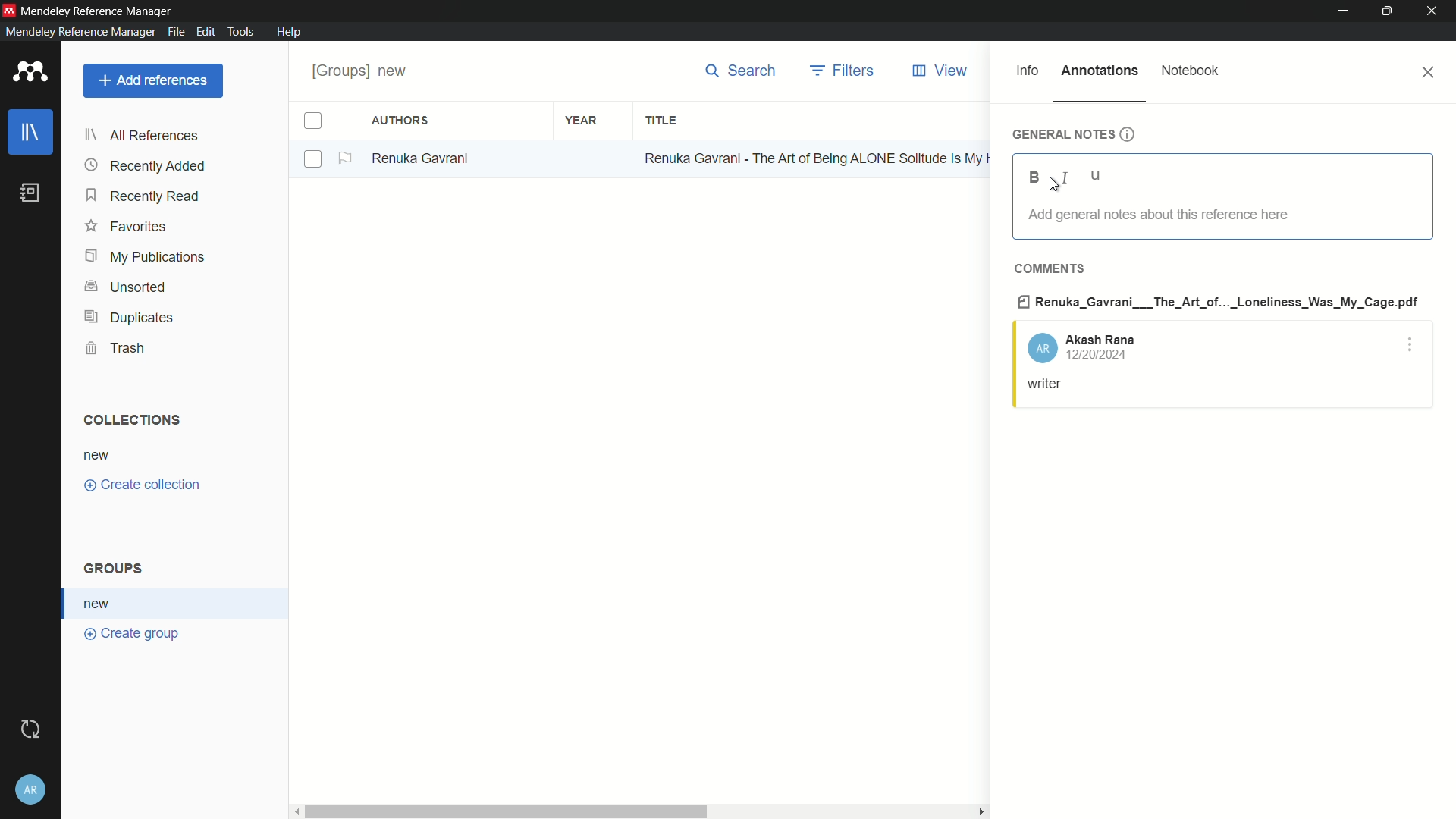 The width and height of the screenshot is (1456, 819). What do you see at coordinates (662, 121) in the screenshot?
I see `title` at bounding box center [662, 121].